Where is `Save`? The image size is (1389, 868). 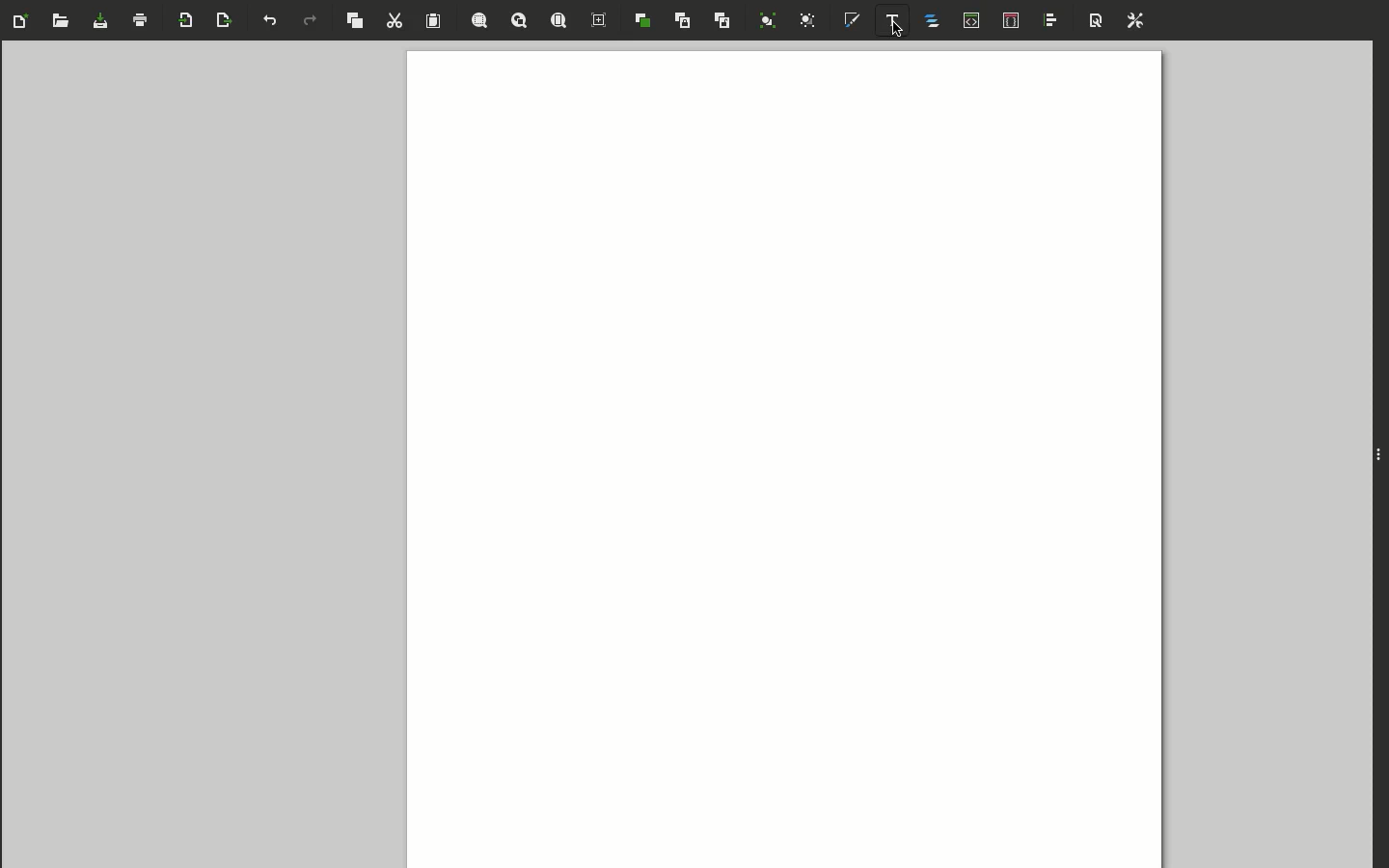
Save is located at coordinates (101, 24).